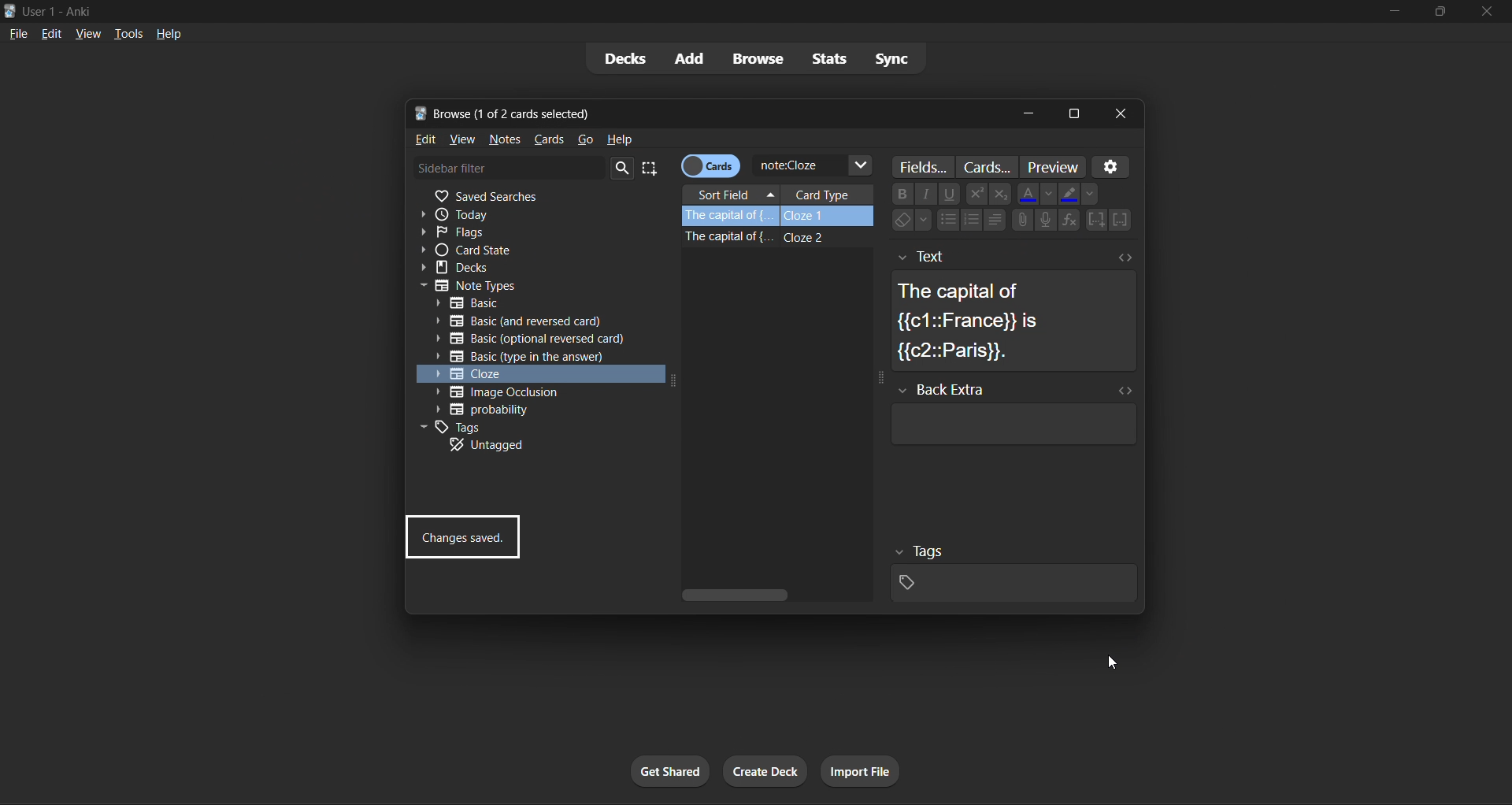 This screenshot has height=805, width=1512. What do you see at coordinates (51, 33) in the screenshot?
I see `edit` at bounding box center [51, 33].